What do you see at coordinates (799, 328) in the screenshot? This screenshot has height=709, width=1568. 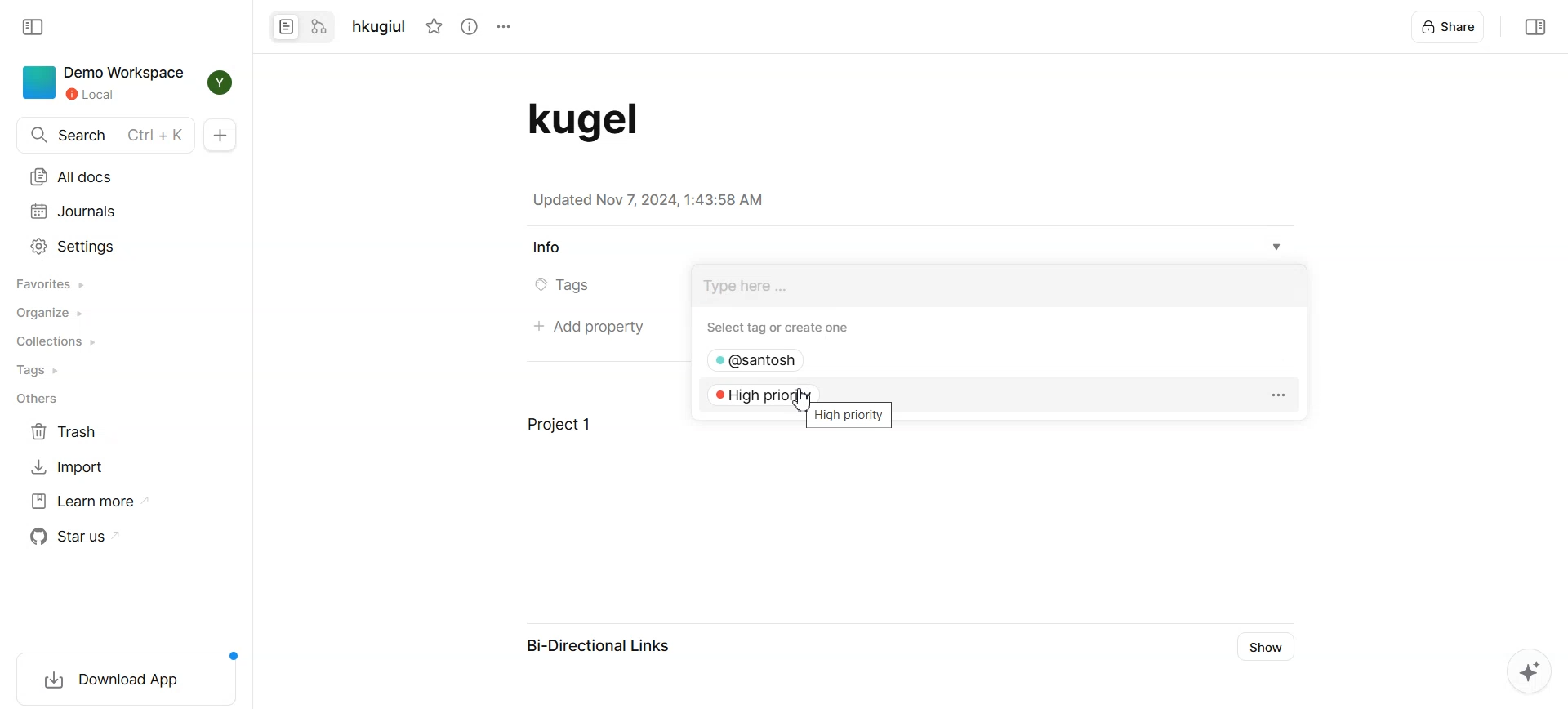 I see `Select tag or create one` at bounding box center [799, 328].